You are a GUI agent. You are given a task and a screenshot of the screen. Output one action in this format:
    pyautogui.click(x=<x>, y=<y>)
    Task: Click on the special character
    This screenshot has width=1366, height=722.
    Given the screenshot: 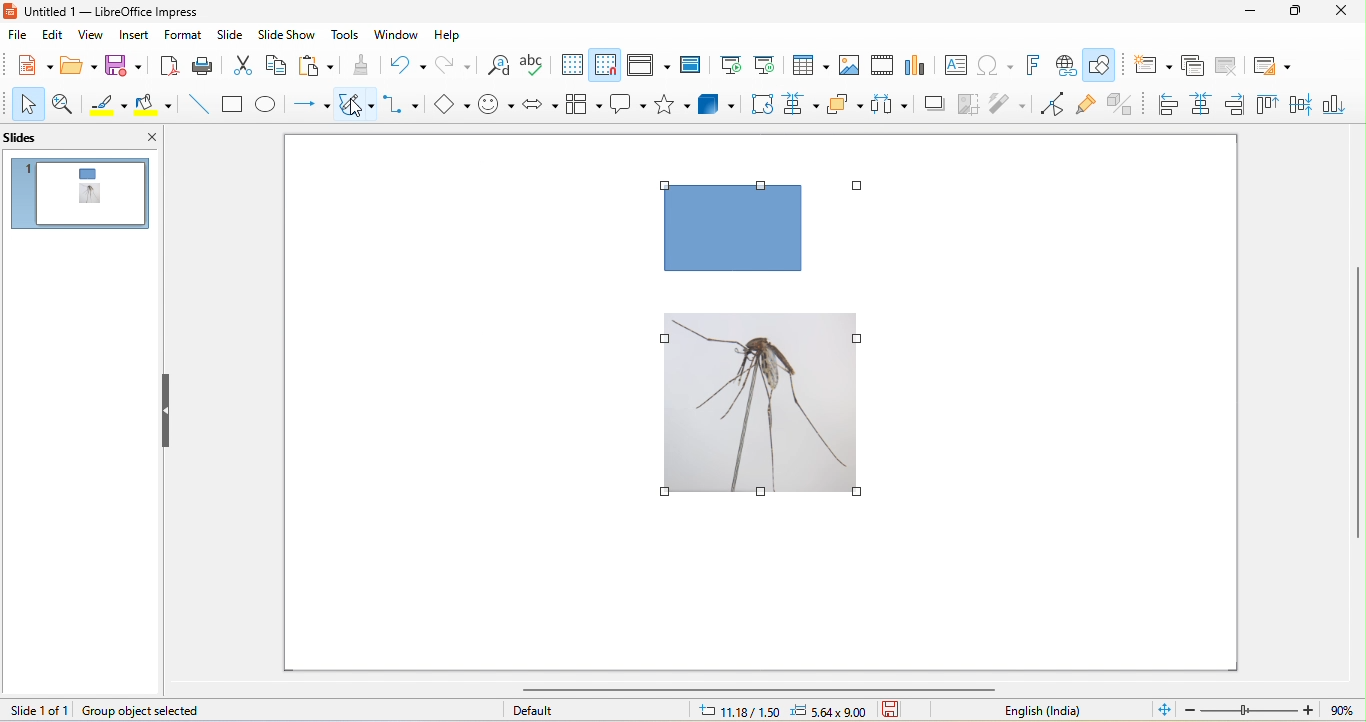 What is the action you would take?
    pyautogui.click(x=996, y=65)
    